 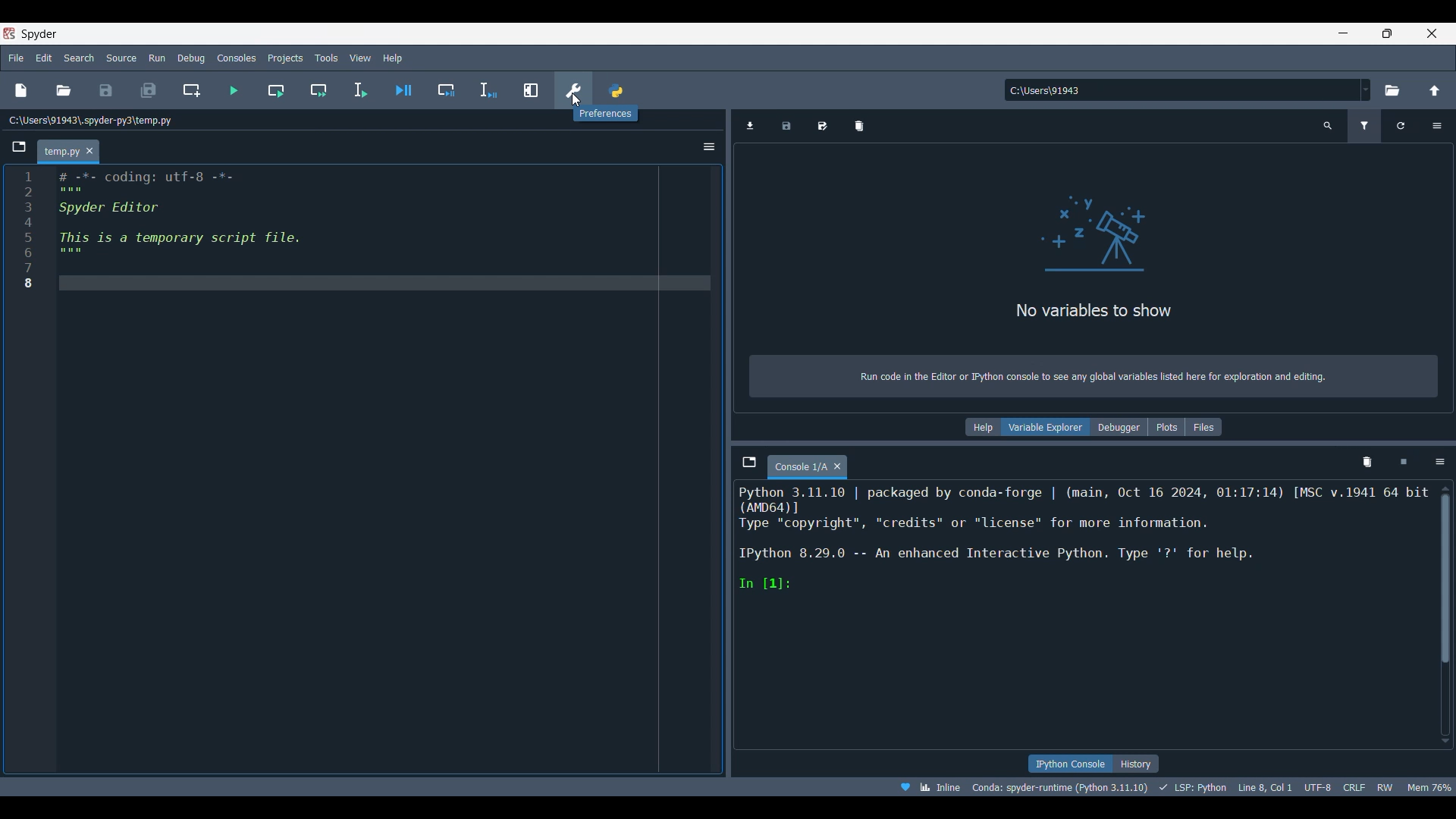 What do you see at coordinates (1166, 427) in the screenshot?
I see `Plots` at bounding box center [1166, 427].